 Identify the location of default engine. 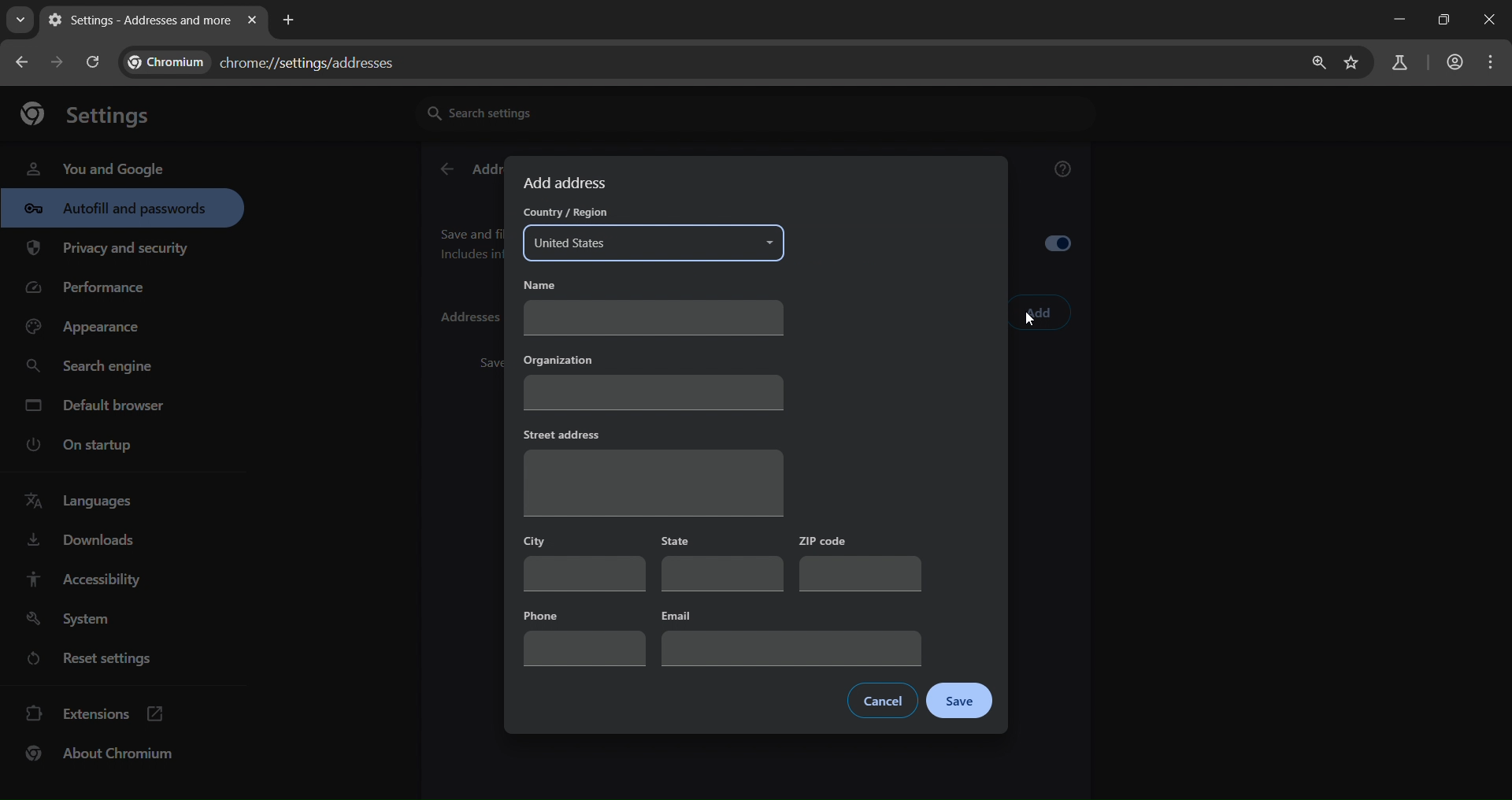
(98, 408).